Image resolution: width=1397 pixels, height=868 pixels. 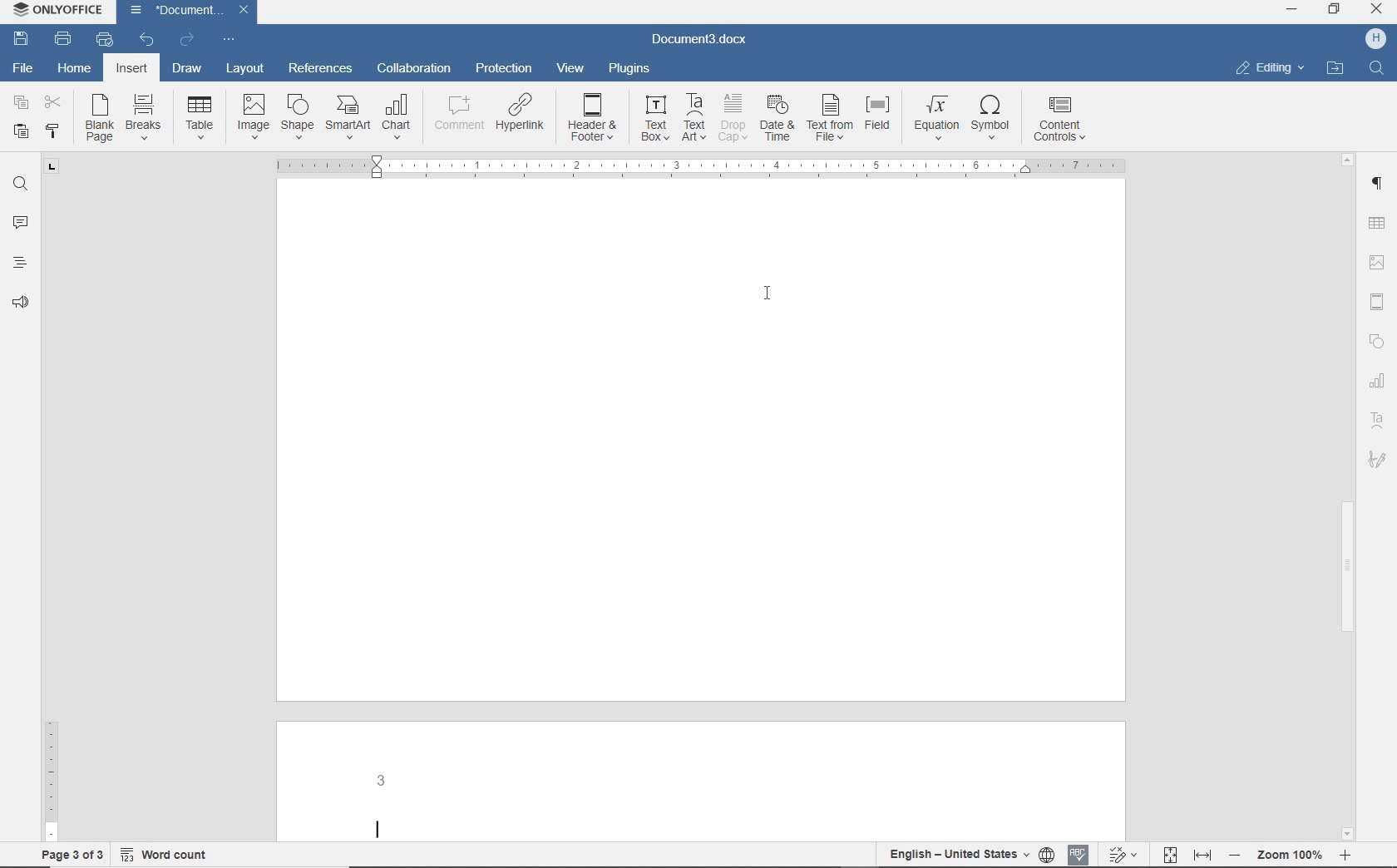 I want to click on PRINT, so click(x=64, y=39).